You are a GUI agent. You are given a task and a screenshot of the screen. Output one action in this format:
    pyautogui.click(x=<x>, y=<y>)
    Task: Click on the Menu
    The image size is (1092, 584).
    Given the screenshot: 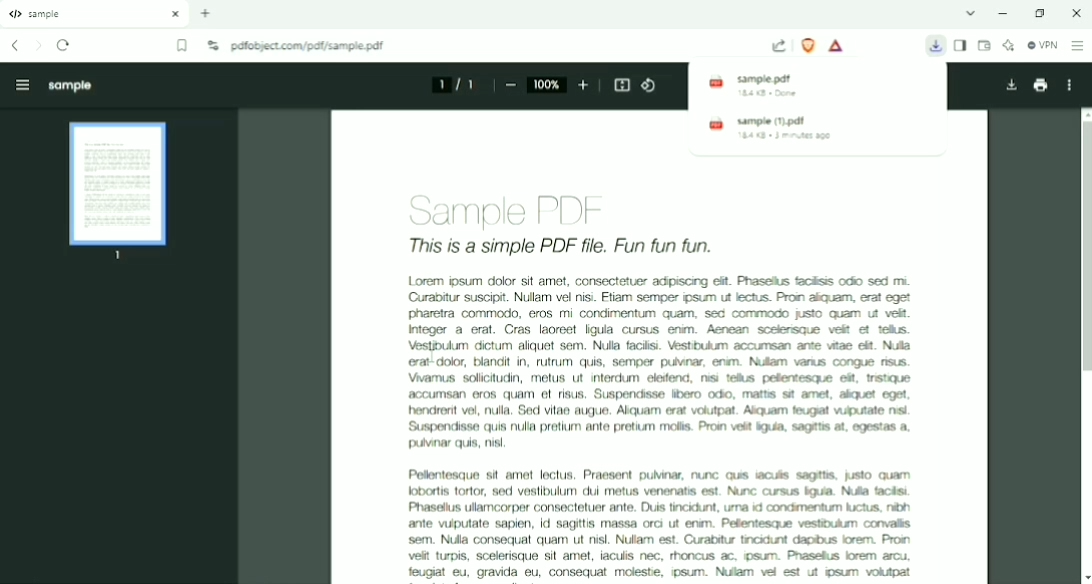 What is the action you would take?
    pyautogui.click(x=18, y=83)
    